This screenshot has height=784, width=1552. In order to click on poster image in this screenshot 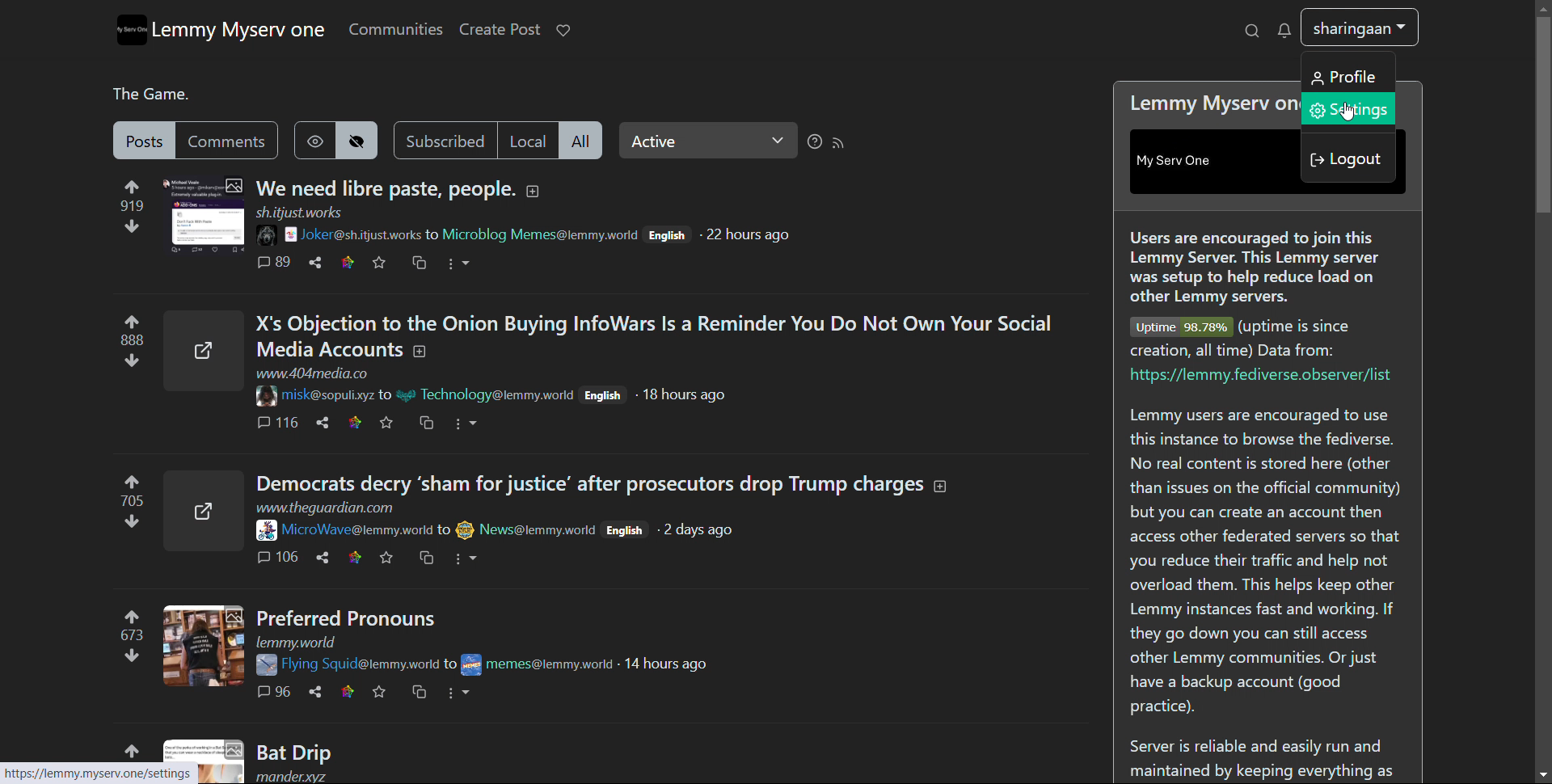, I will do `click(265, 664)`.